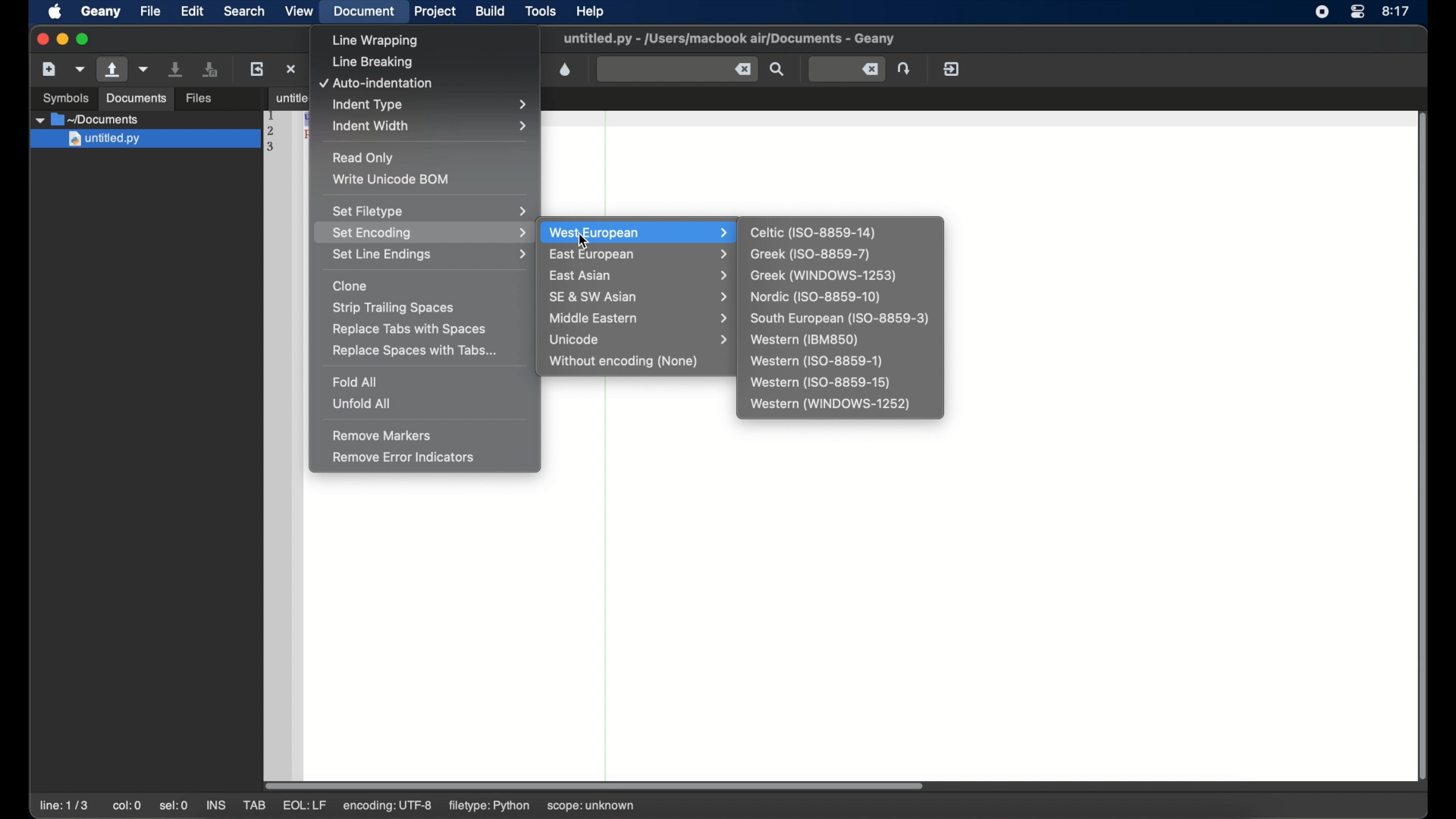 The width and height of the screenshot is (1456, 819). What do you see at coordinates (590, 11) in the screenshot?
I see `help` at bounding box center [590, 11].